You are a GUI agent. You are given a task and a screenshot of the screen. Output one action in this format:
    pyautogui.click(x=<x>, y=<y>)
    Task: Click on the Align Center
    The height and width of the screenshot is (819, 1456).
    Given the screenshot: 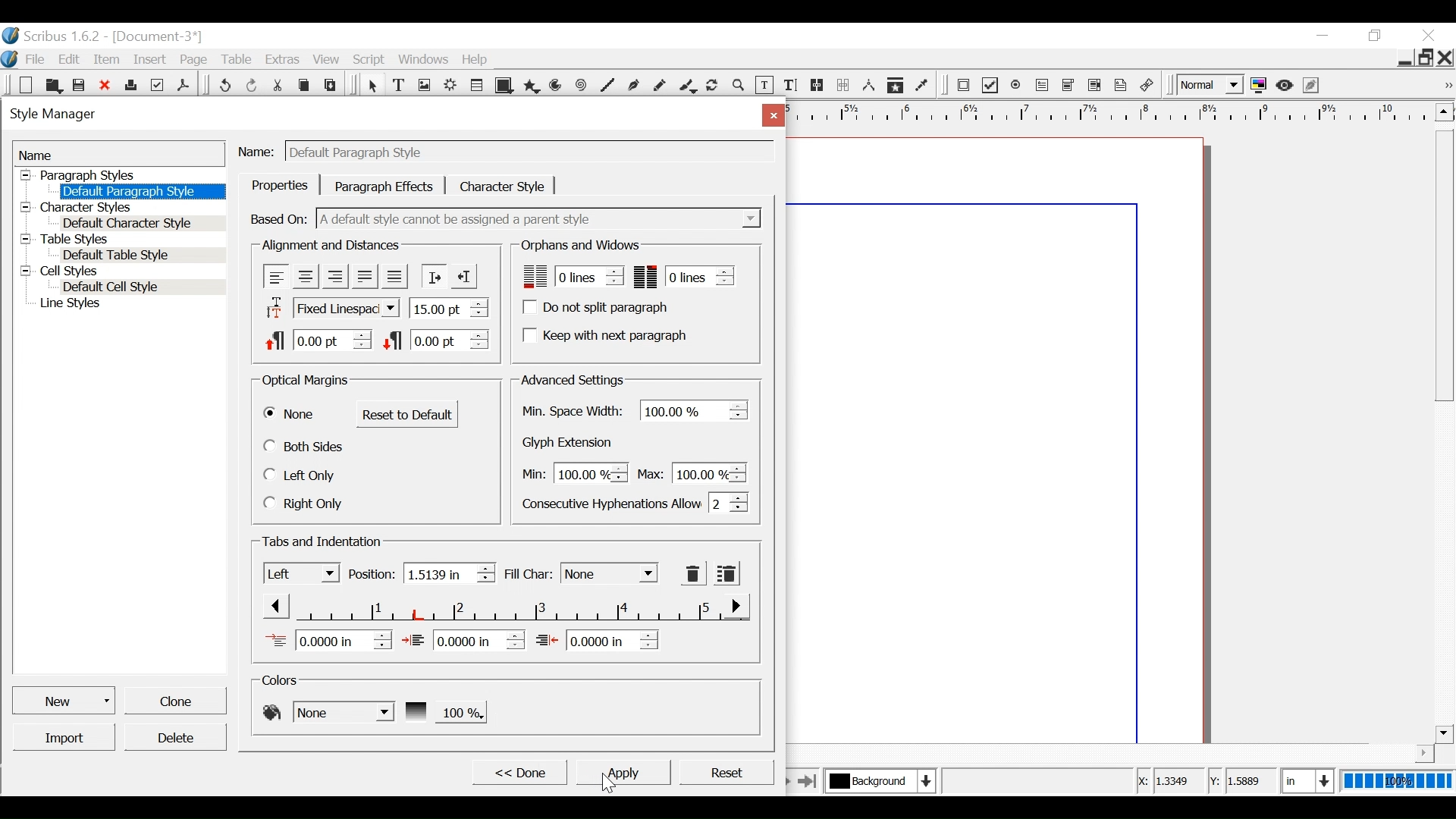 What is the action you would take?
    pyautogui.click(x=306, y=277)
    